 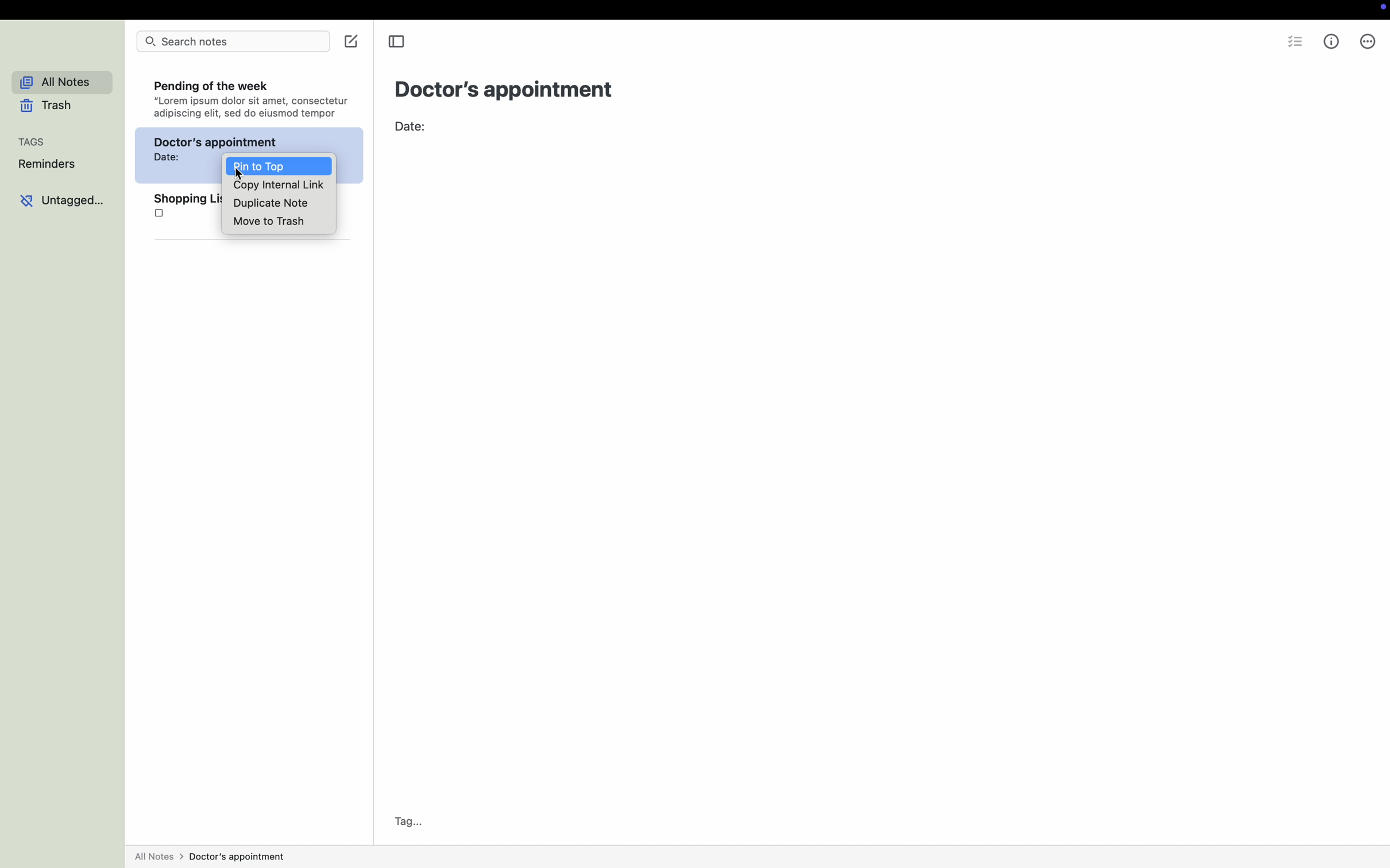 What do you see at coordinates (413, 123) in the screenshot?
I see `date` at bounding box center [413, 123].